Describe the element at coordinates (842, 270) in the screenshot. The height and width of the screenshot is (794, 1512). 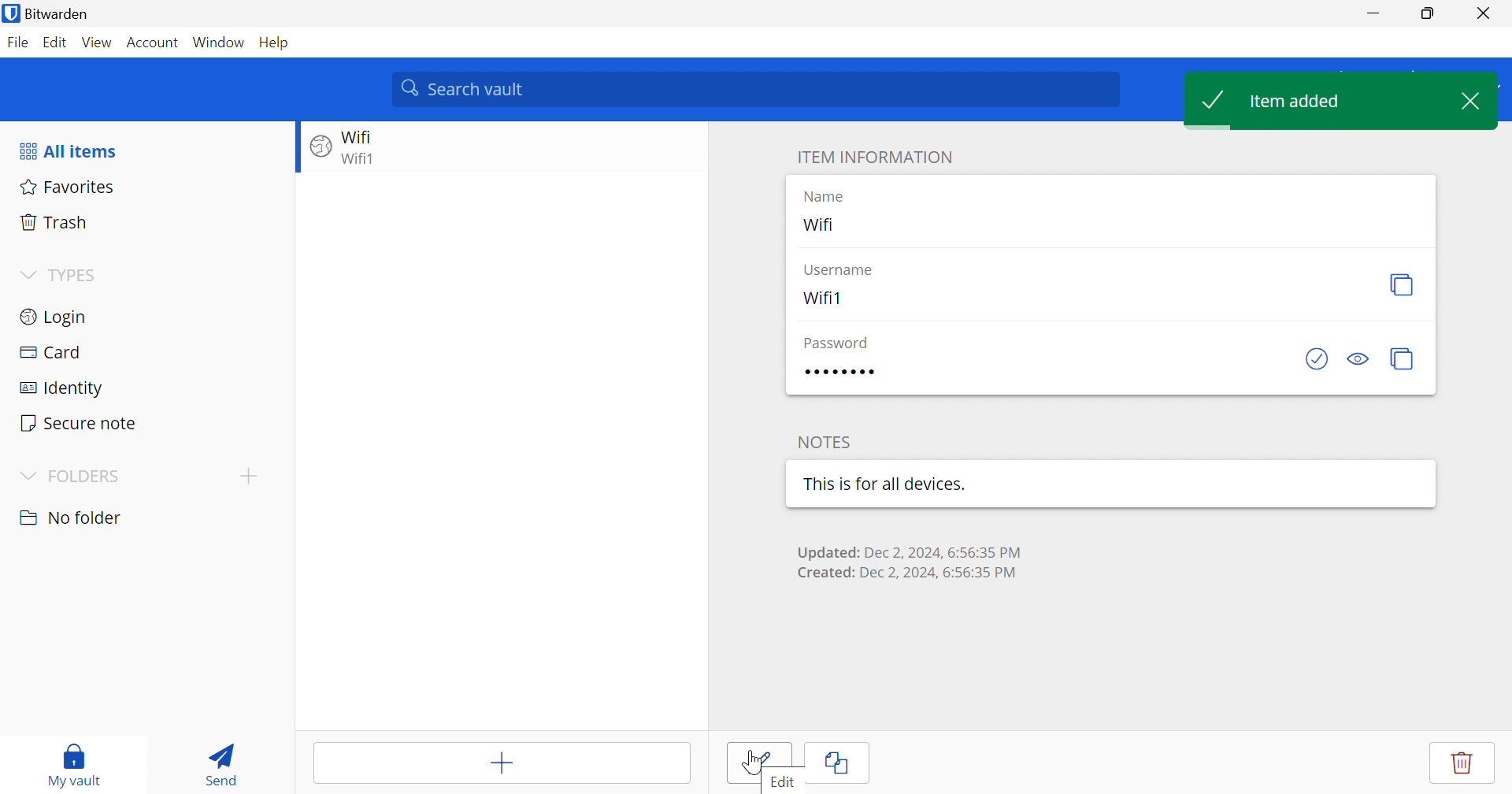
I see `Username` at that location.